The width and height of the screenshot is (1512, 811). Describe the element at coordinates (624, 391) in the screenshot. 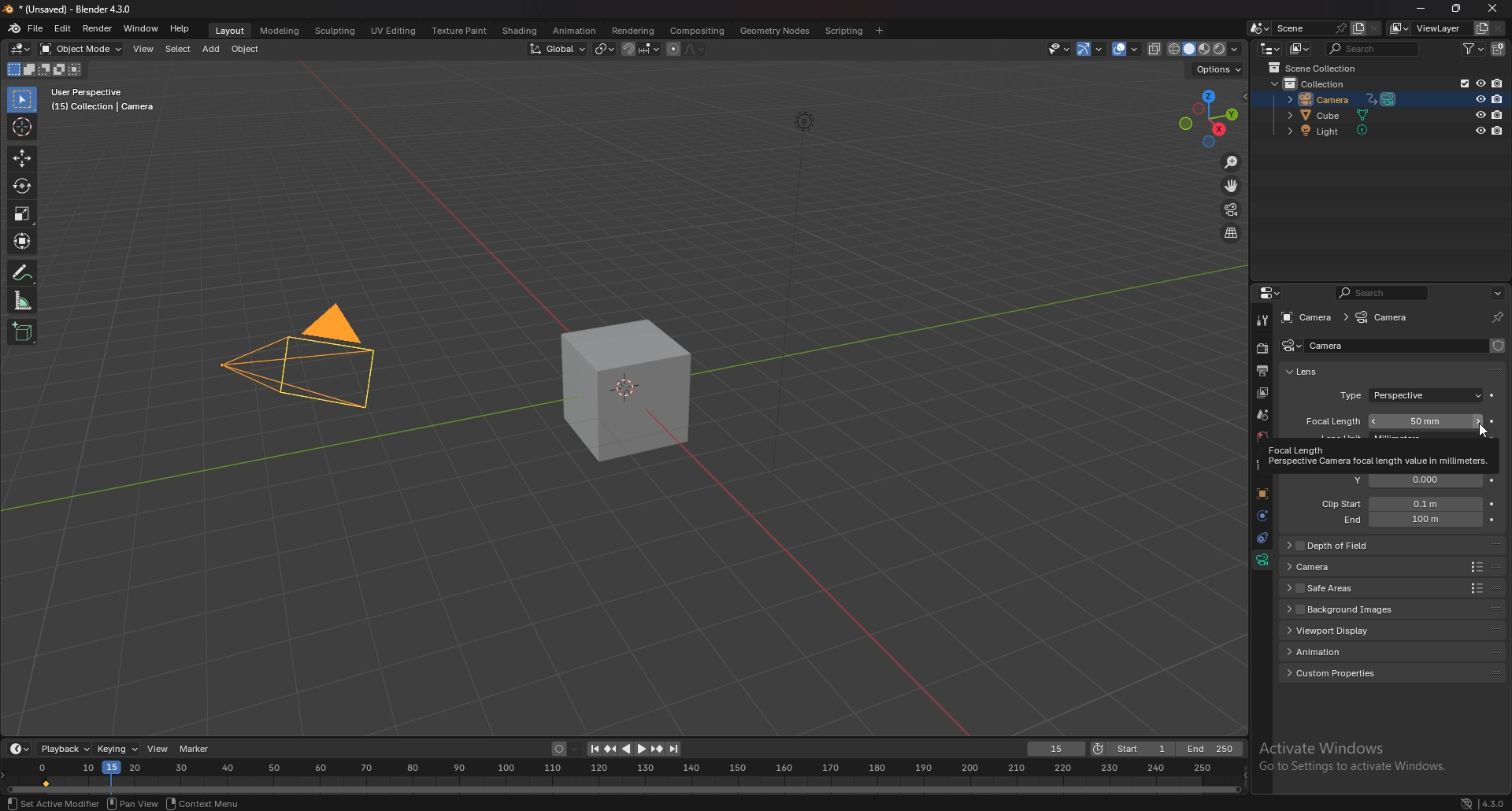

I see `cube` at that location.